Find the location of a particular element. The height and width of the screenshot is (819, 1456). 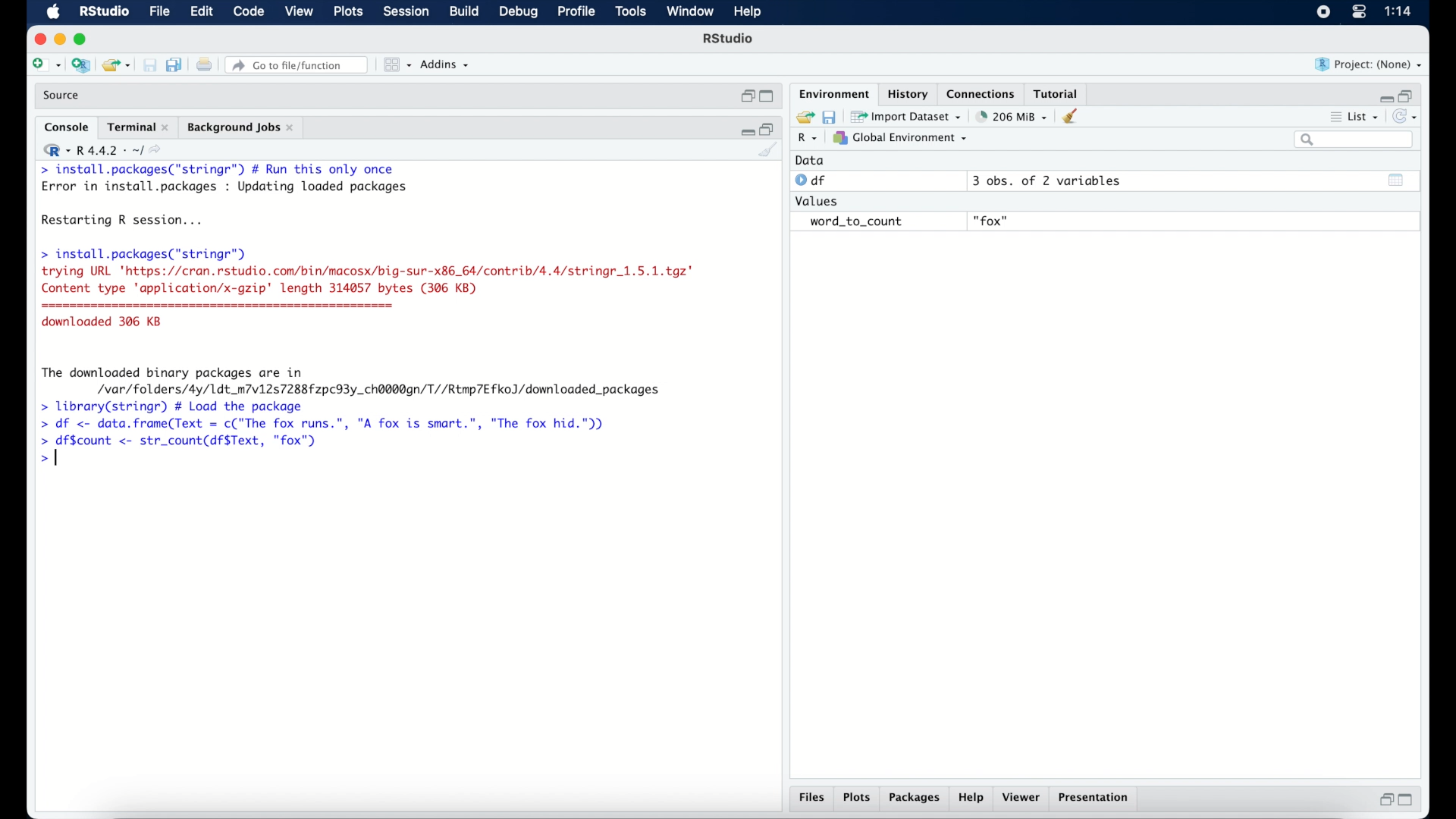

console is located at coordinates (67, 127).